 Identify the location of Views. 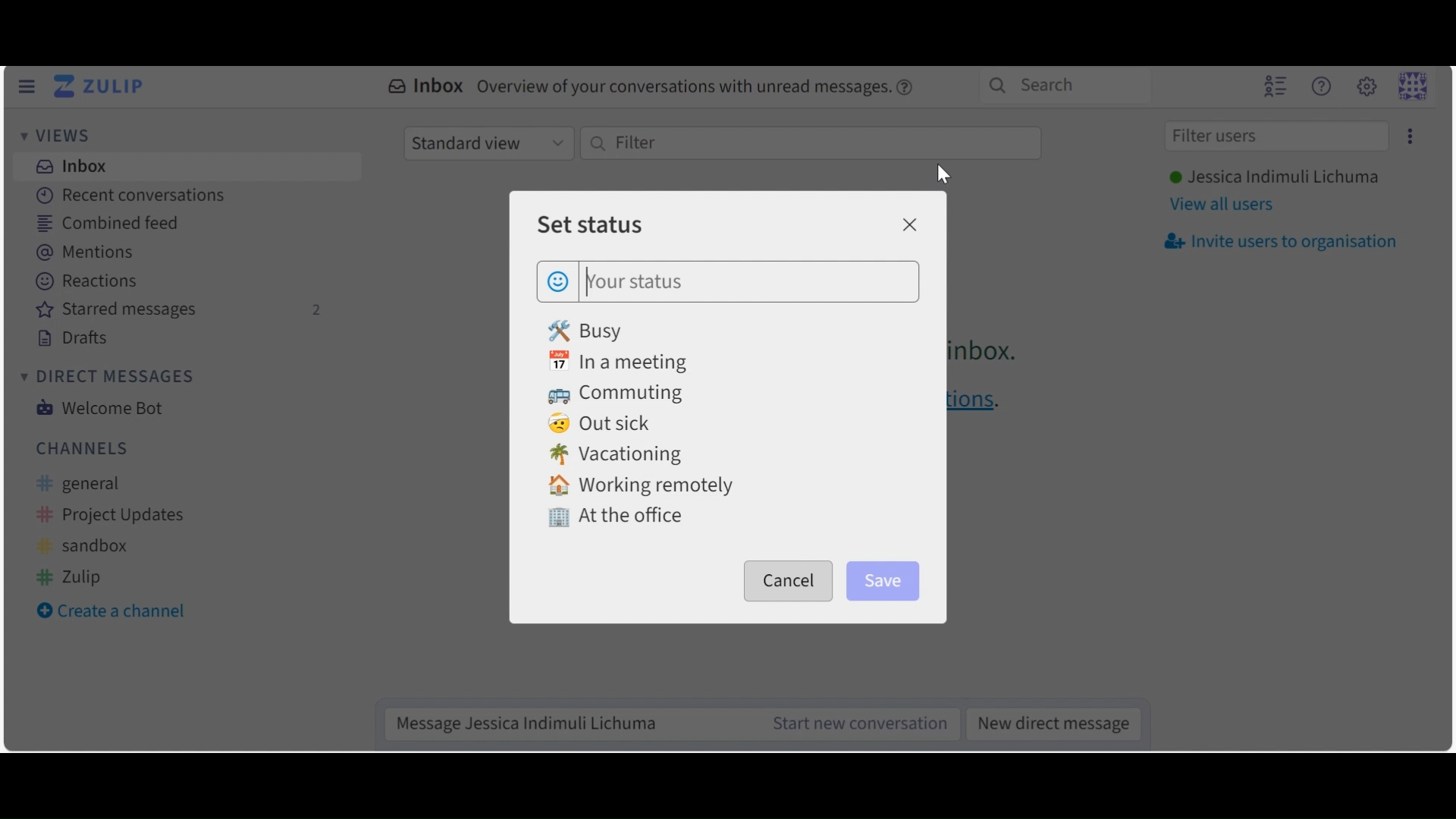
(60, 137).